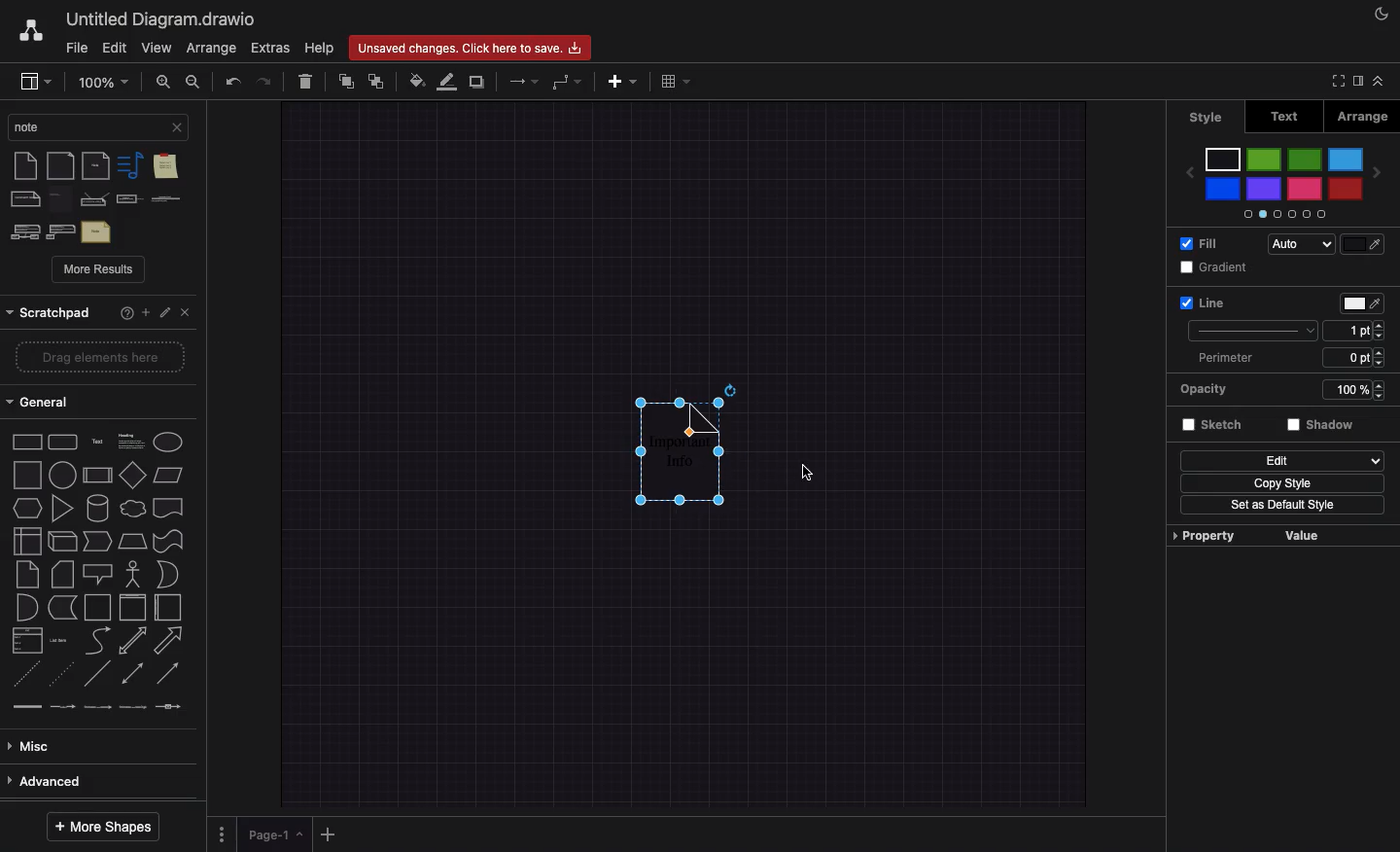 The height and width of the screenshot is (852, 1400). Describe the element at coordinates (470, 49) in the screenshot. I see `Unsaved` at that location.